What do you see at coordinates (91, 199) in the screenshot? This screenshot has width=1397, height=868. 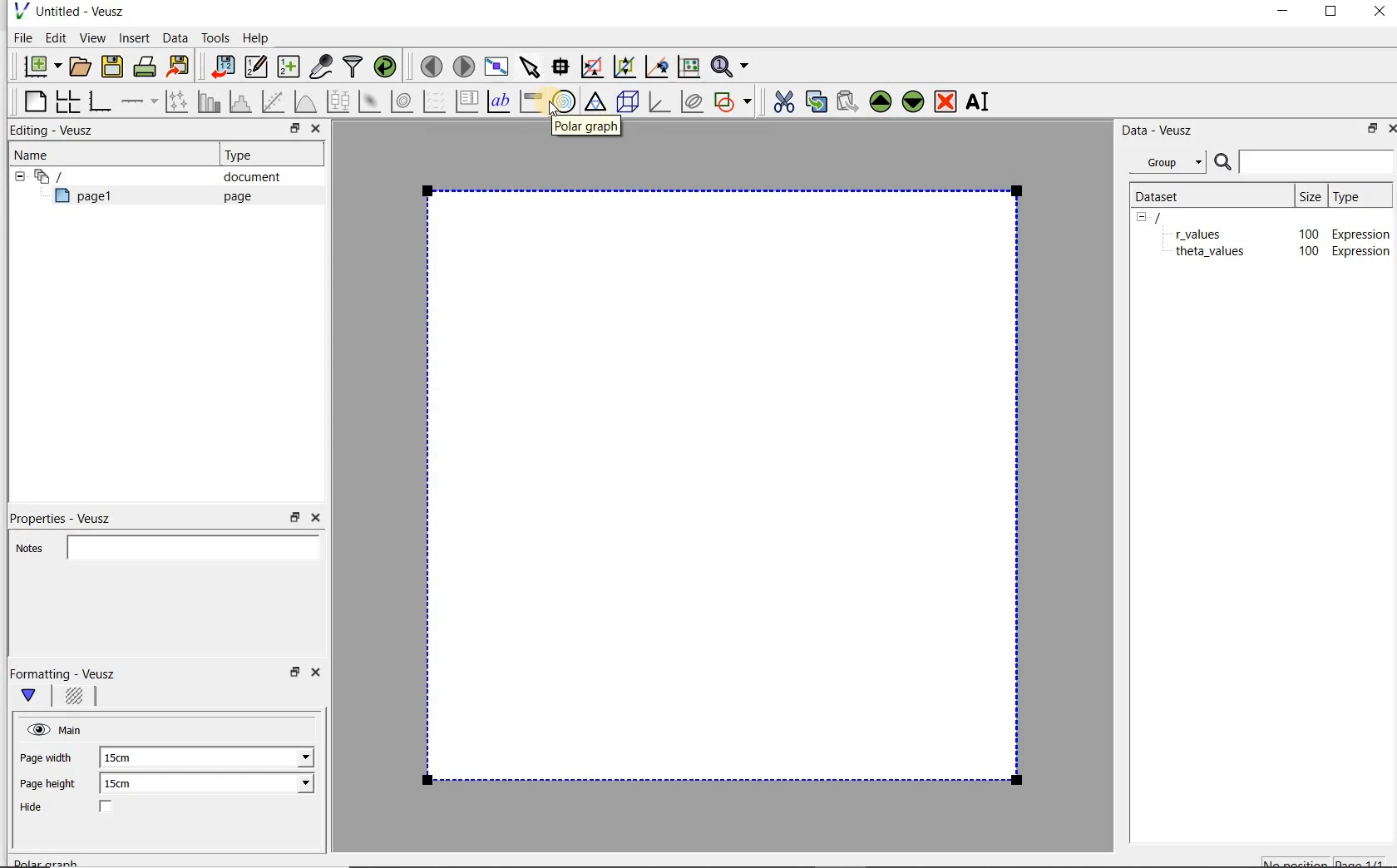 I see `page1` at bounding box center [91, 199].